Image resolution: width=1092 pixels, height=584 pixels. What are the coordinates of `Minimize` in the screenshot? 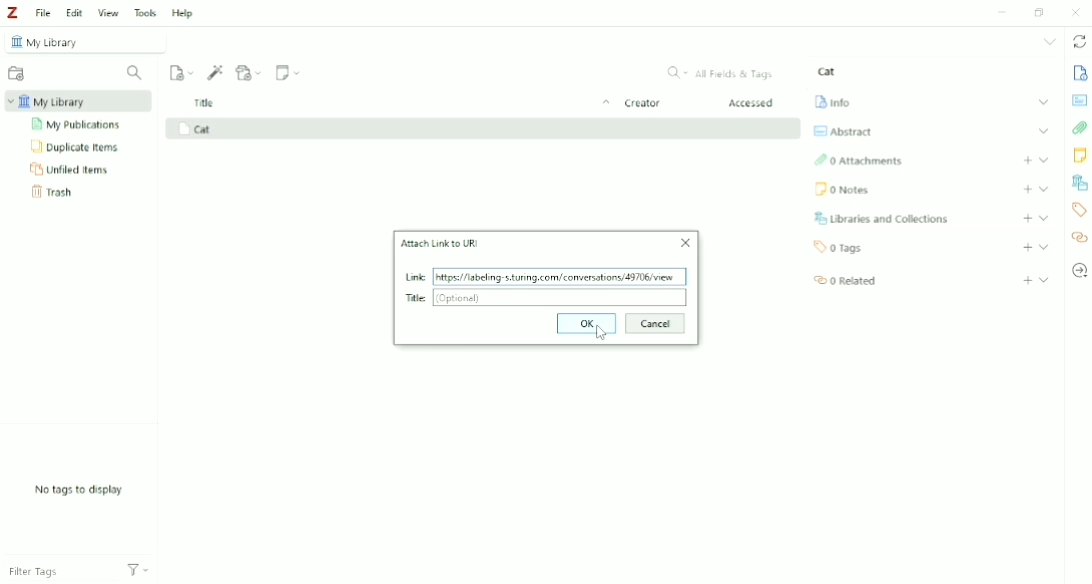 It's located at (999, 13).